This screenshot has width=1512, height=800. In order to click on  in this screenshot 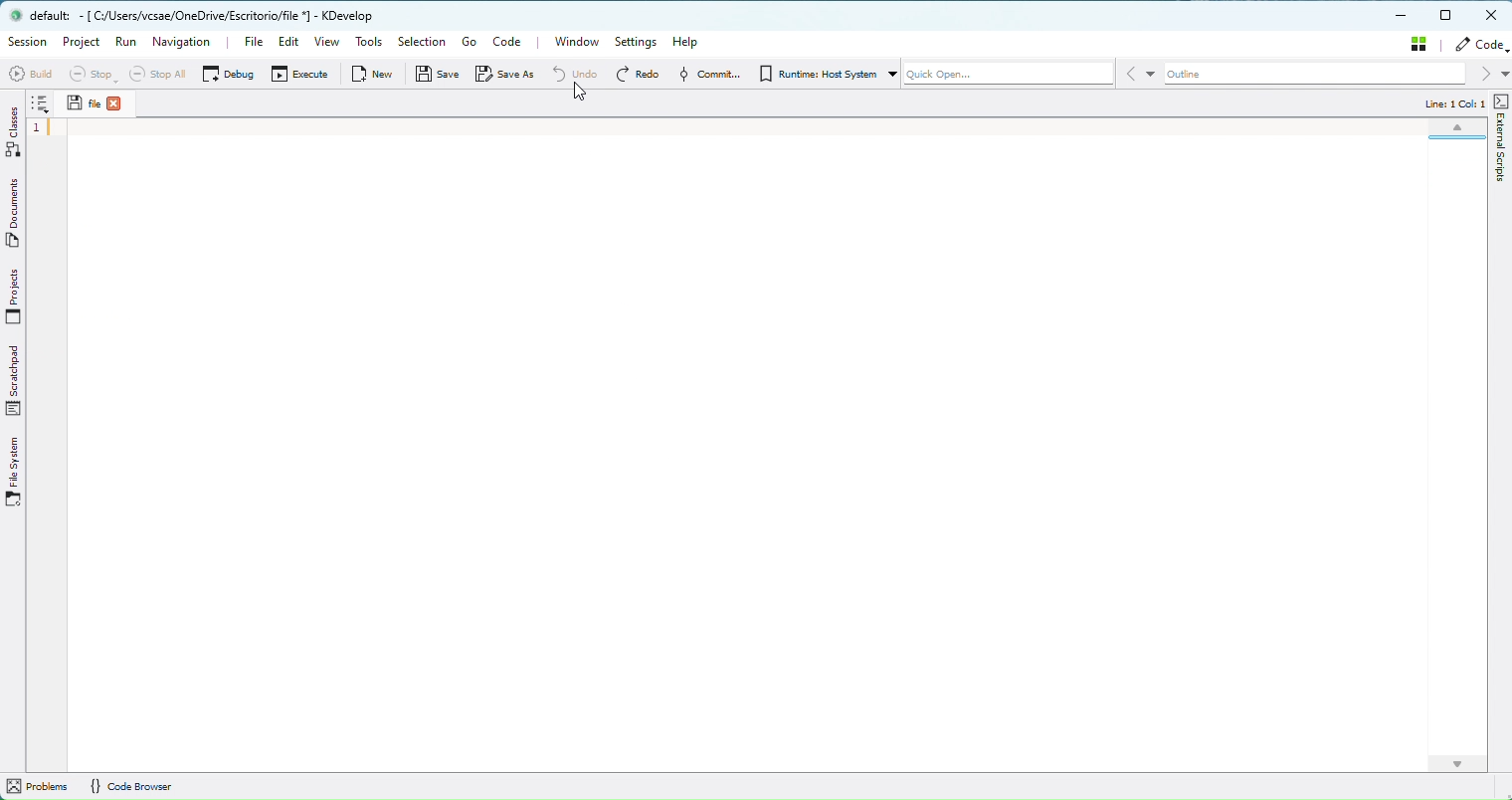, I will do `click(1420, 43)`.